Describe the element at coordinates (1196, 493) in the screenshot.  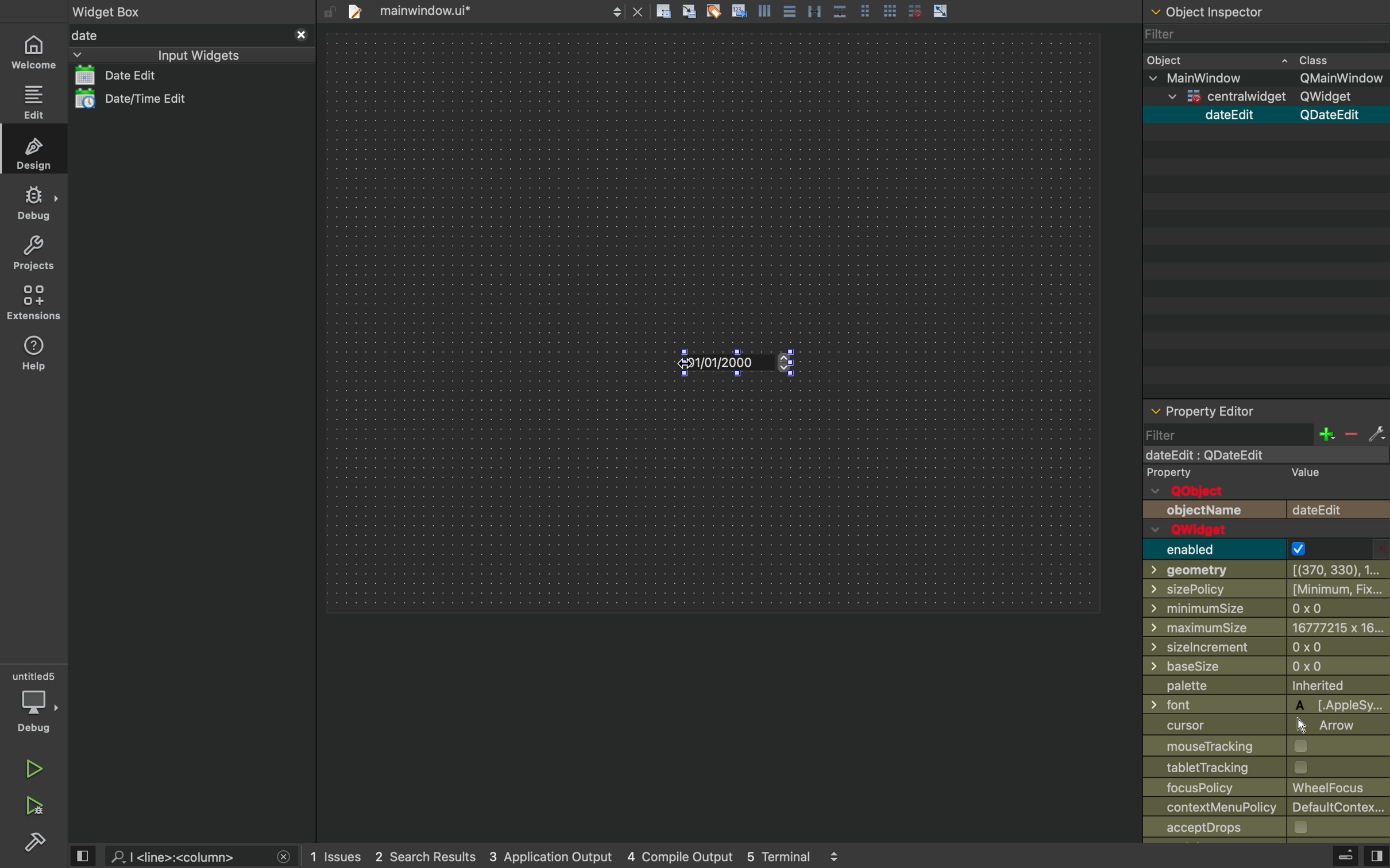
I see `q object` at that location.